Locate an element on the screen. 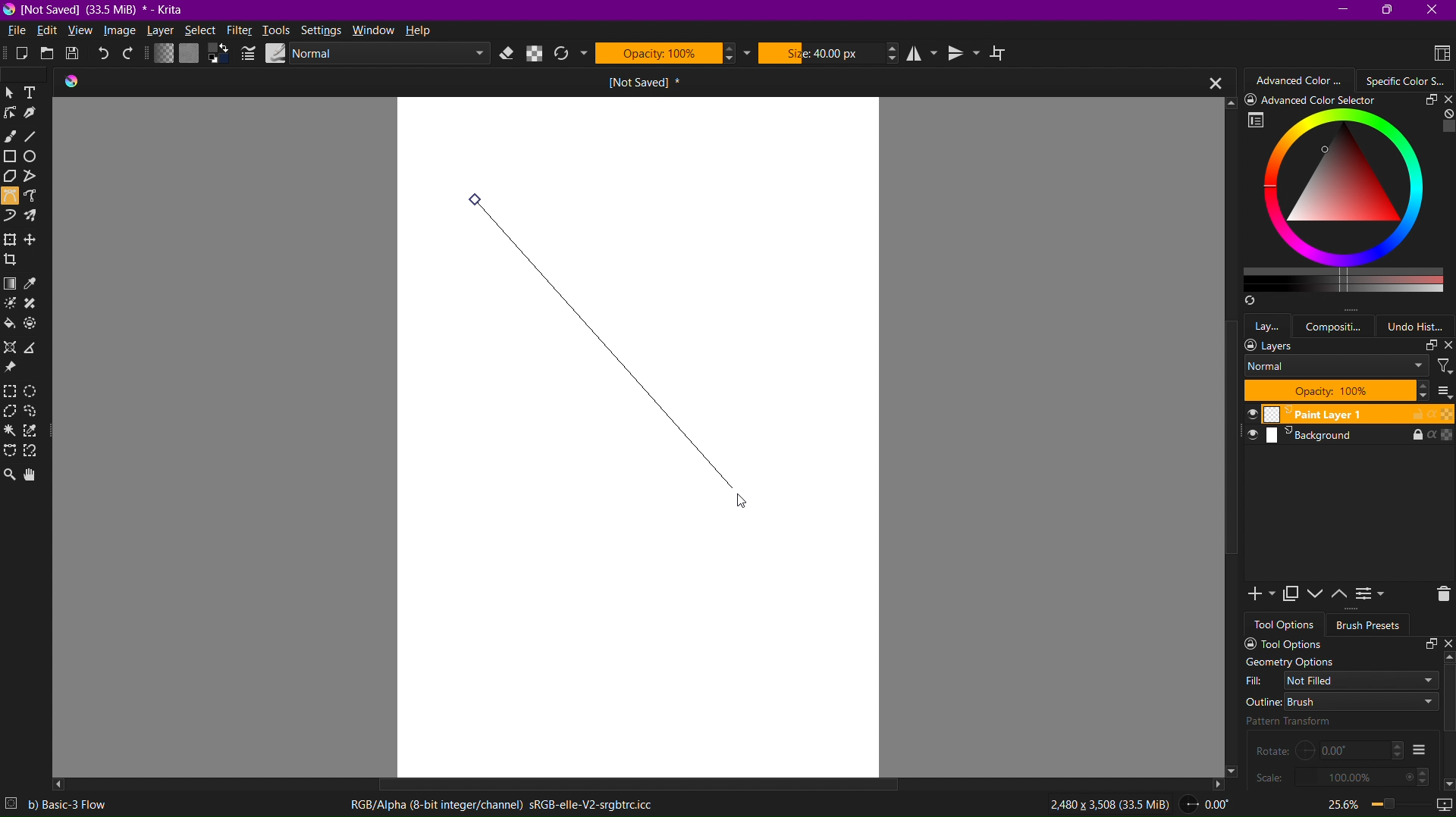  Vertical Mirror Tool is located at coordinates (965, 54).